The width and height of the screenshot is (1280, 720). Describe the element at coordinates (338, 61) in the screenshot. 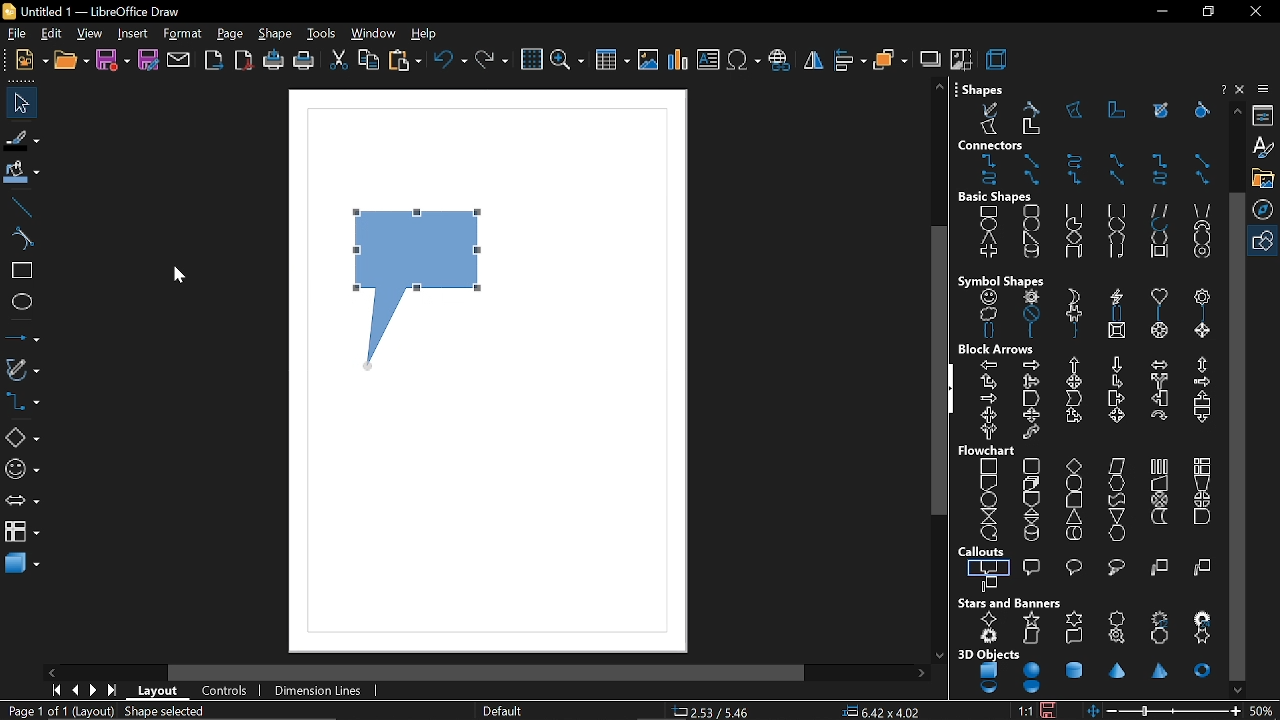

I see `cut` at that location.